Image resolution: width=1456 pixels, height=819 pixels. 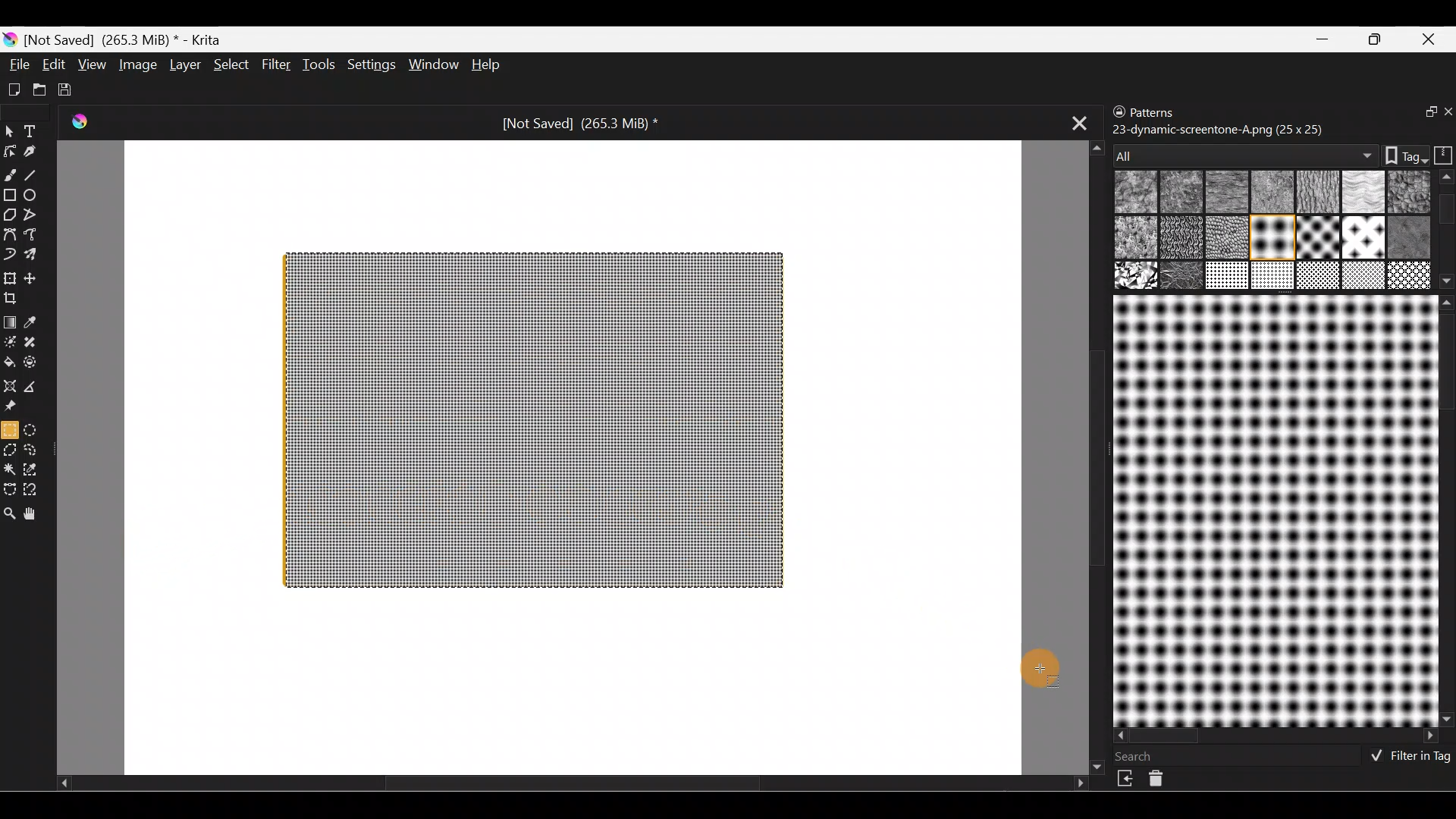 What do you see at coordinates (17, 406) in the screenshot?
I see `Reference images tool` at bounding box center [17, 406].